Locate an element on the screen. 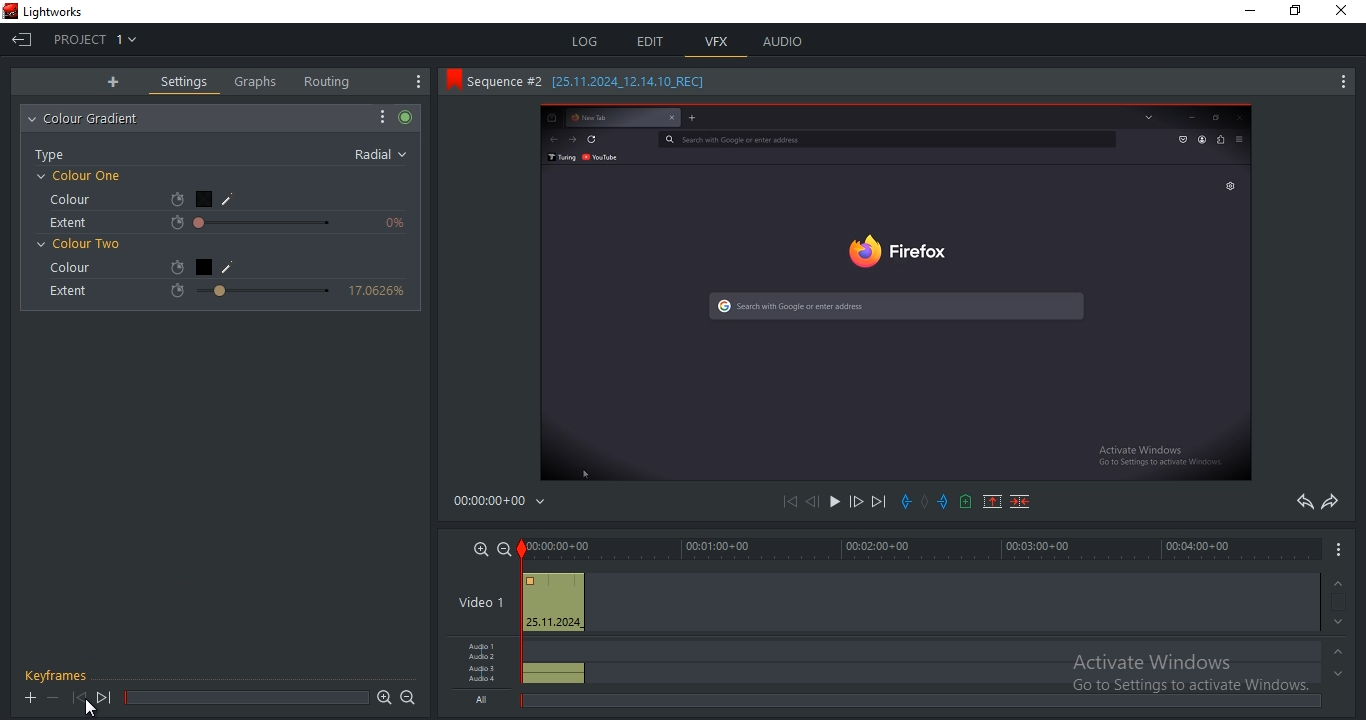 Image resolution: width=1366 pixels, height=720 pixels. greyed out down arrow is located at coordinates (1342, 622).